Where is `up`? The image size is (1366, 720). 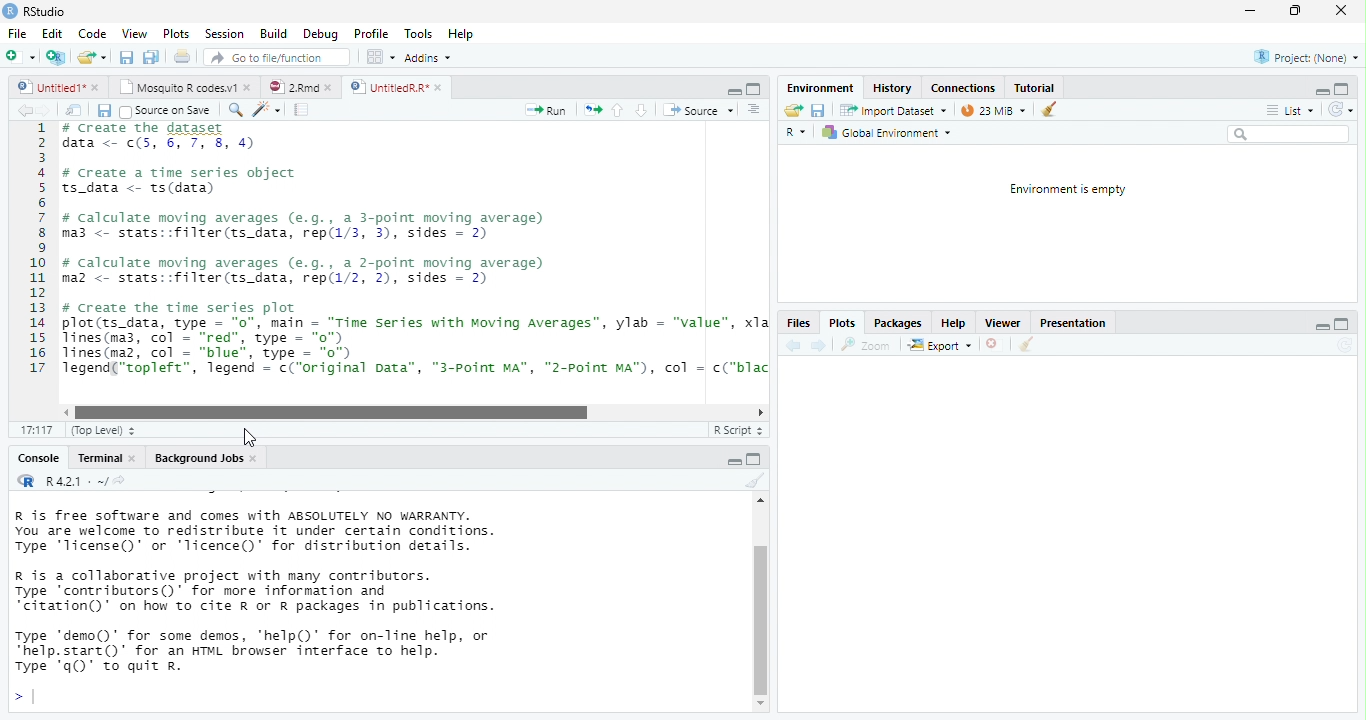
up is located at coordinates (618, 110).